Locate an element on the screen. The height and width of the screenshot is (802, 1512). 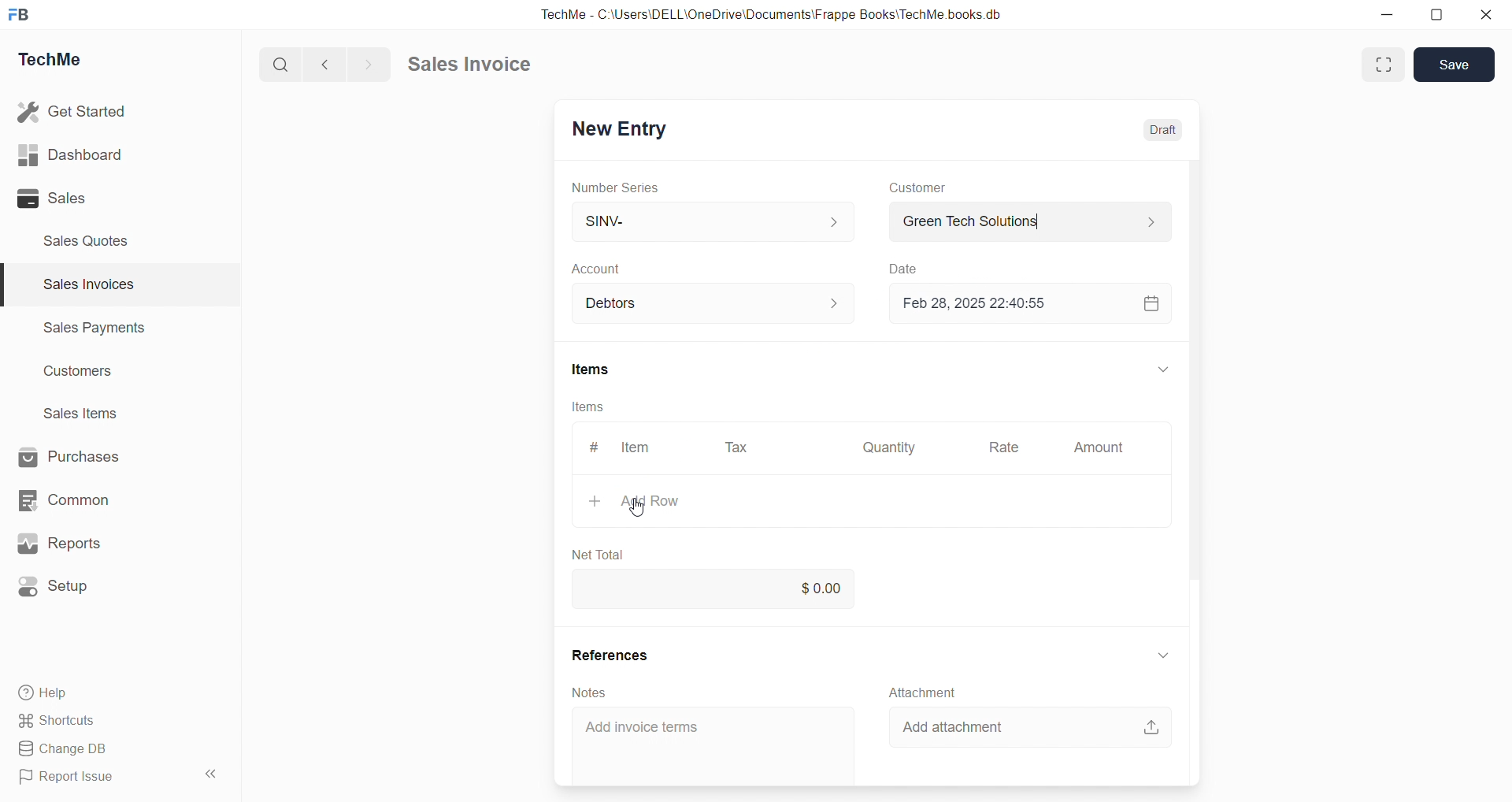
Notes is located at coordinates (587, 692).